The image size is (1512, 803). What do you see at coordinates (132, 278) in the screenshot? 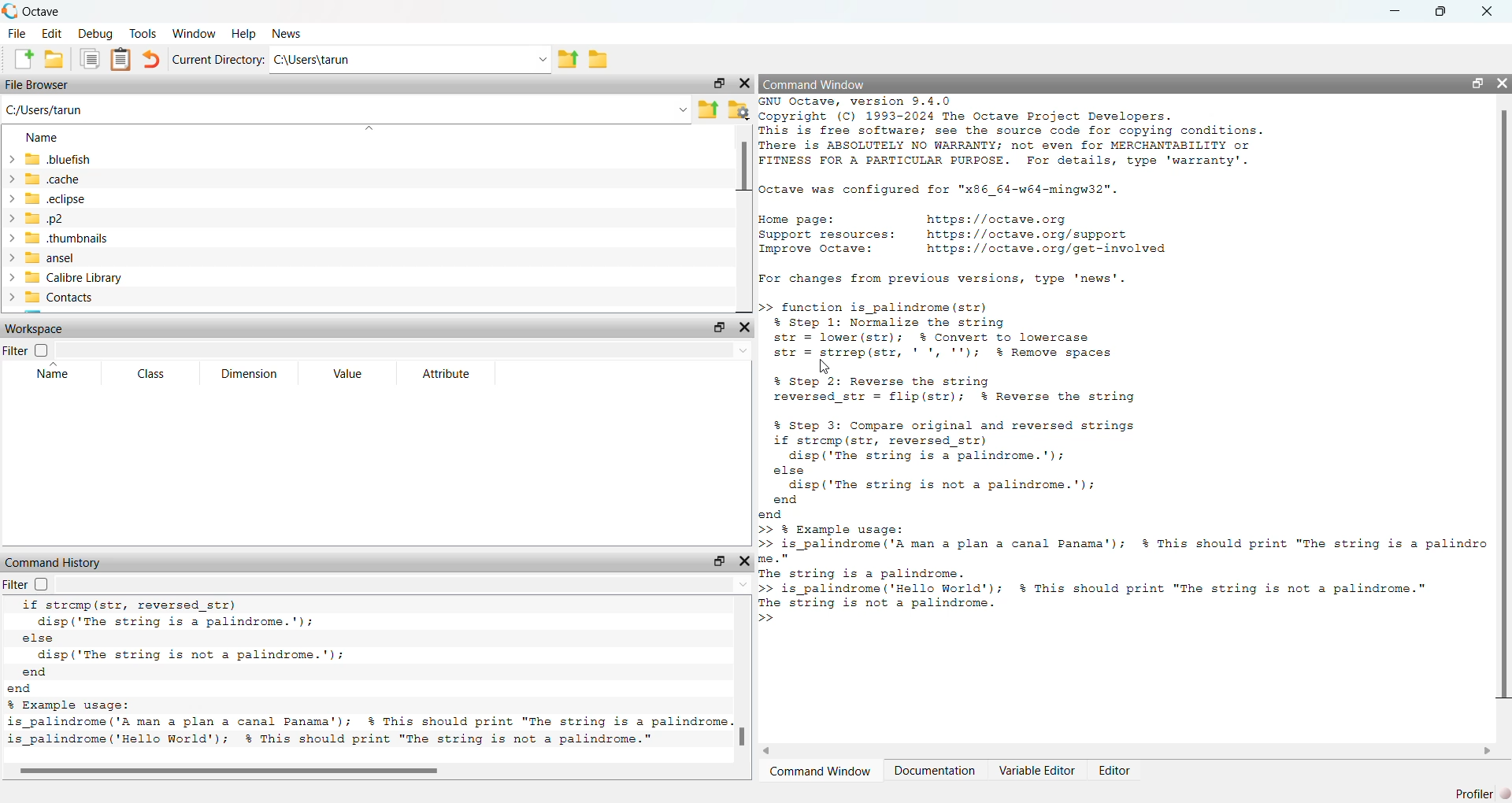
I see `calibre library` at bounding box center [132, 278].